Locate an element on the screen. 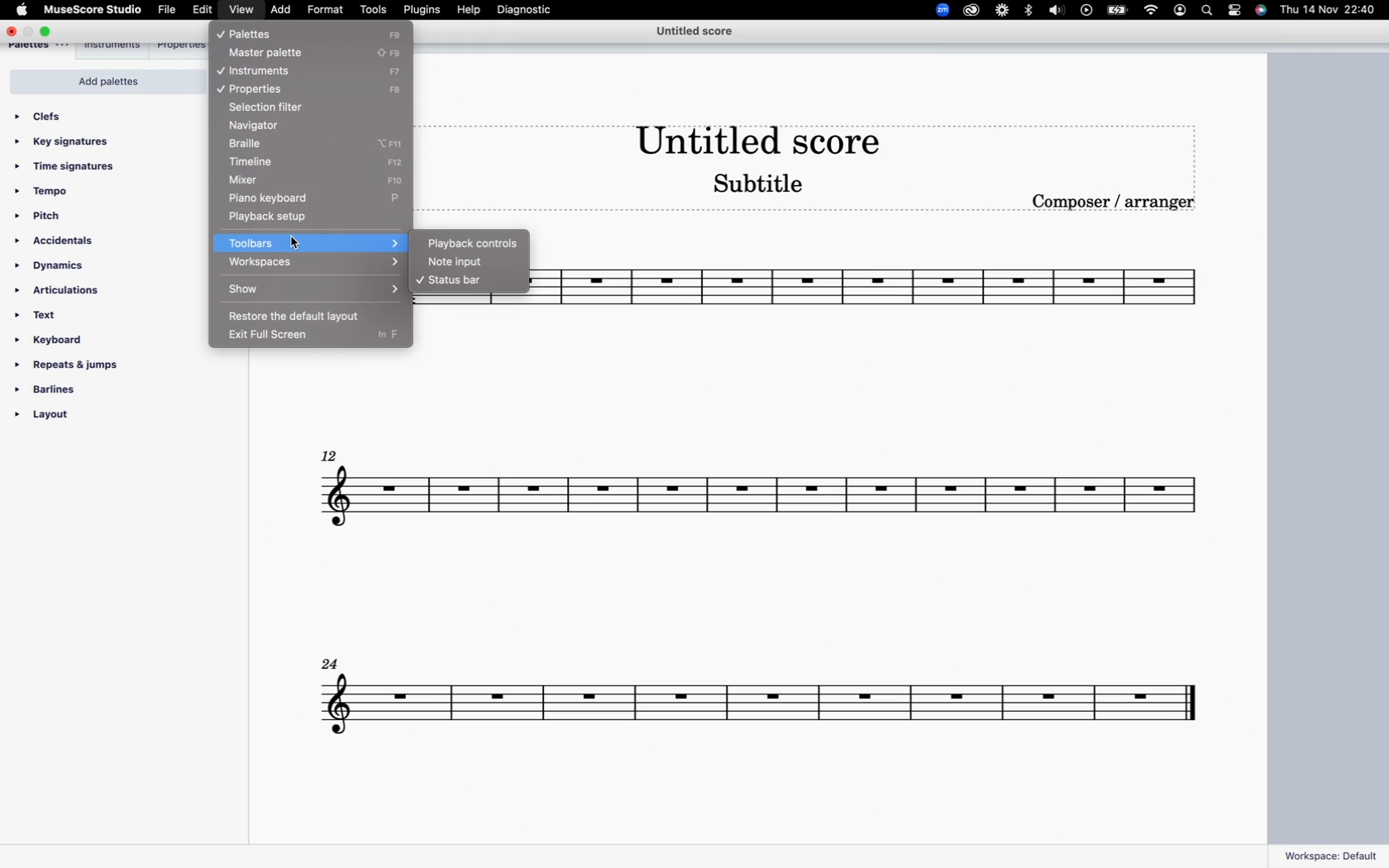 Image resolution: width=1389 pixels, height=868 pixels. F7 is located at coordinates (400, 69).